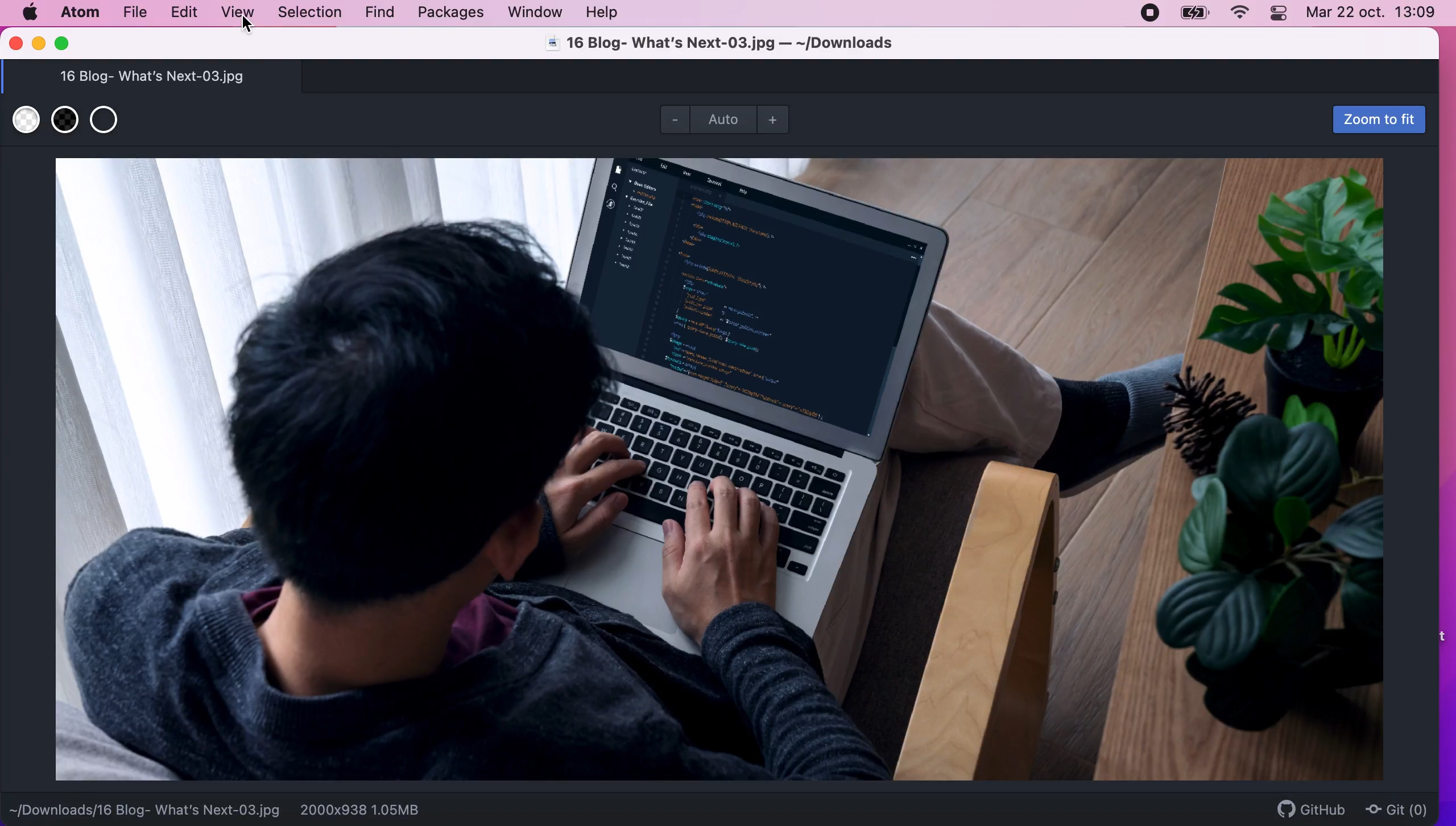 The width and height of the screenshot is (1456, 826). I want to click on ~/Downloads/16 Blog- What's Next-03.jpg, so click(145, 807).